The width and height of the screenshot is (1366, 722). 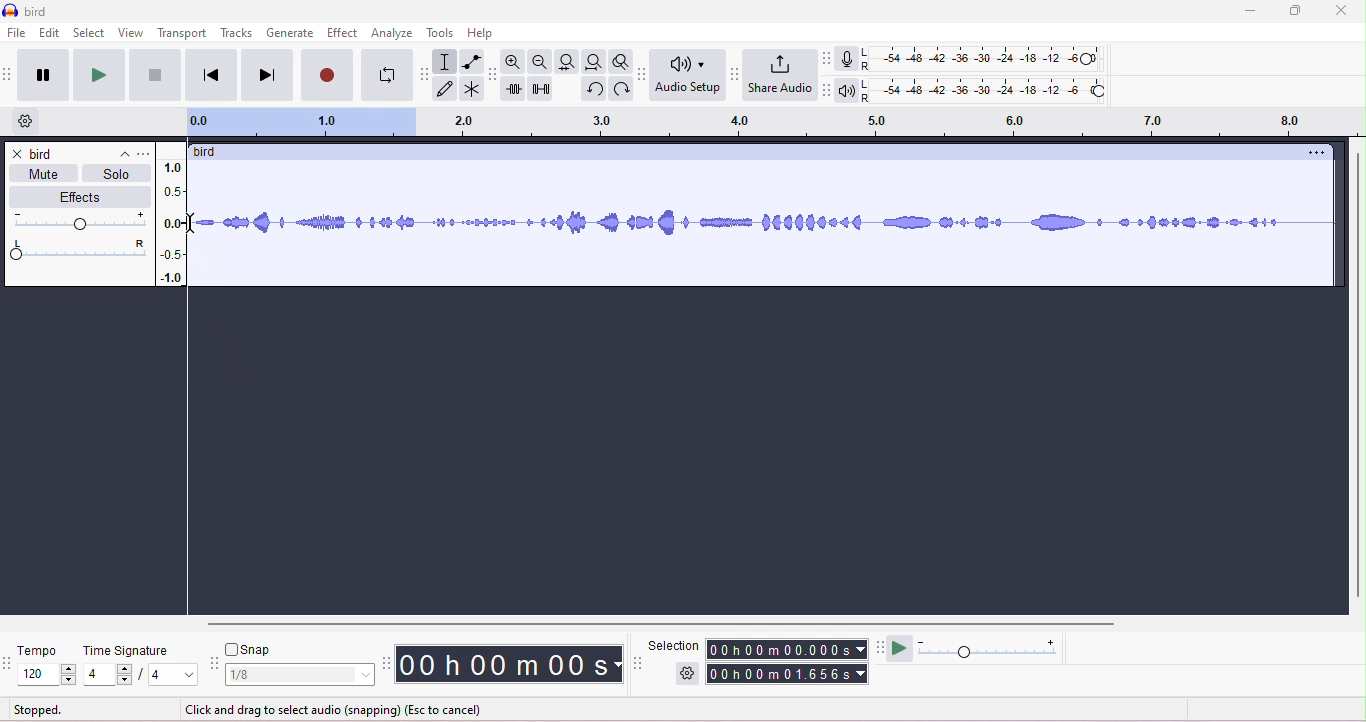 What do you see at coordinates (171, 220) in the screenshot?
I see `amplitude` at bounding box center [171, 220].